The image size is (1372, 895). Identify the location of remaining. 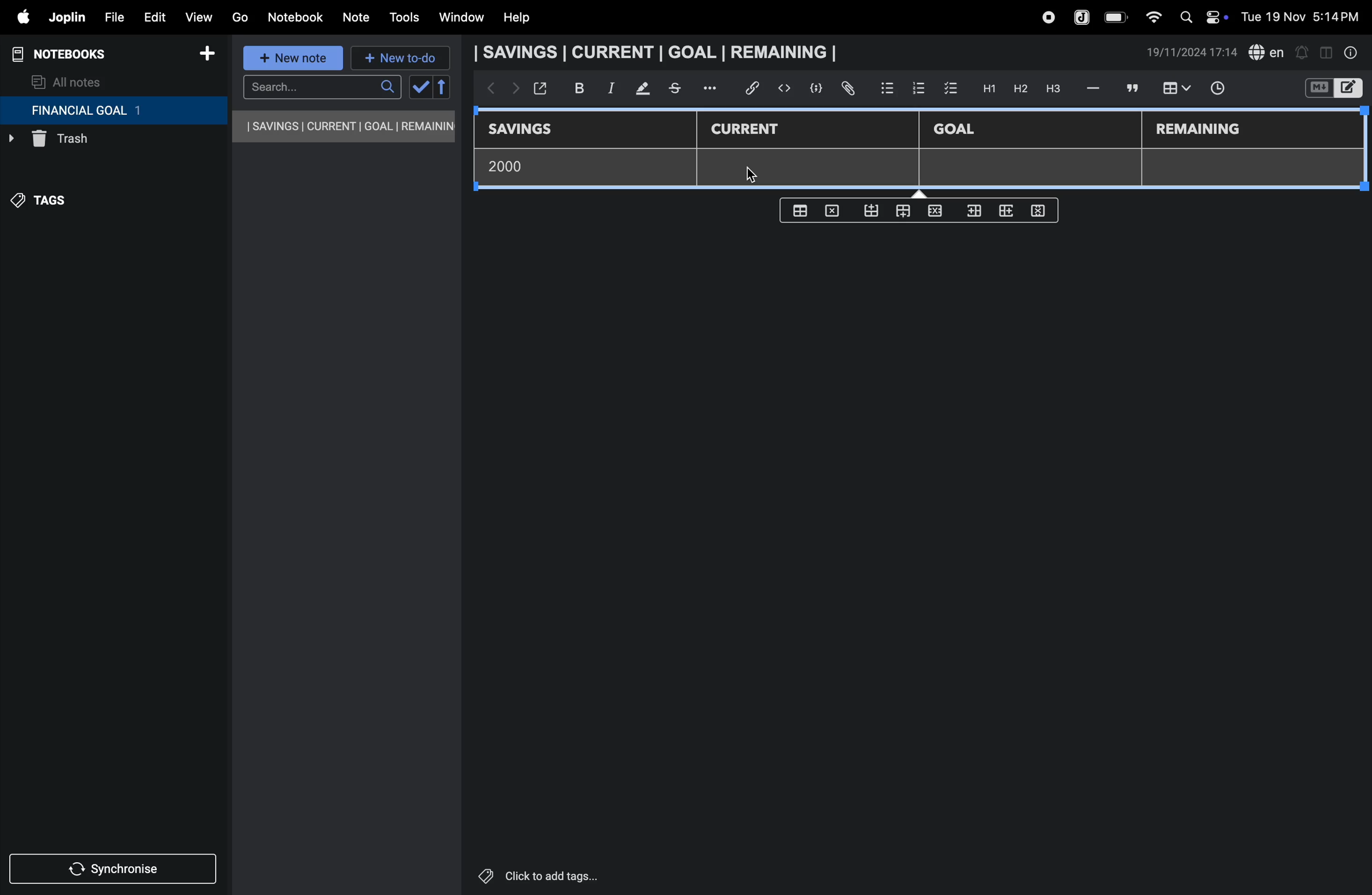
(1200, 130).